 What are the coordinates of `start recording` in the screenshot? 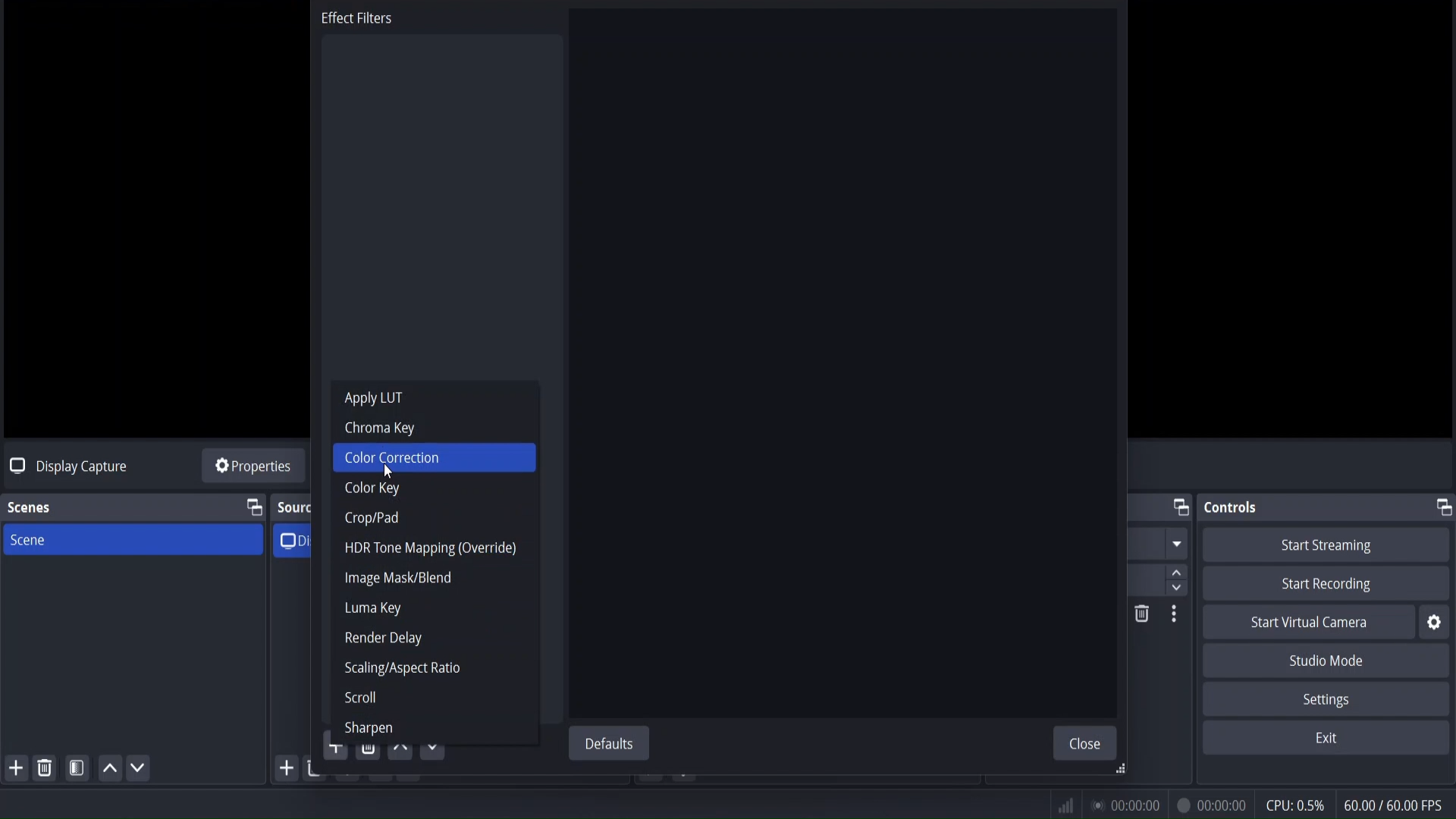 It's located at (1330, 585).